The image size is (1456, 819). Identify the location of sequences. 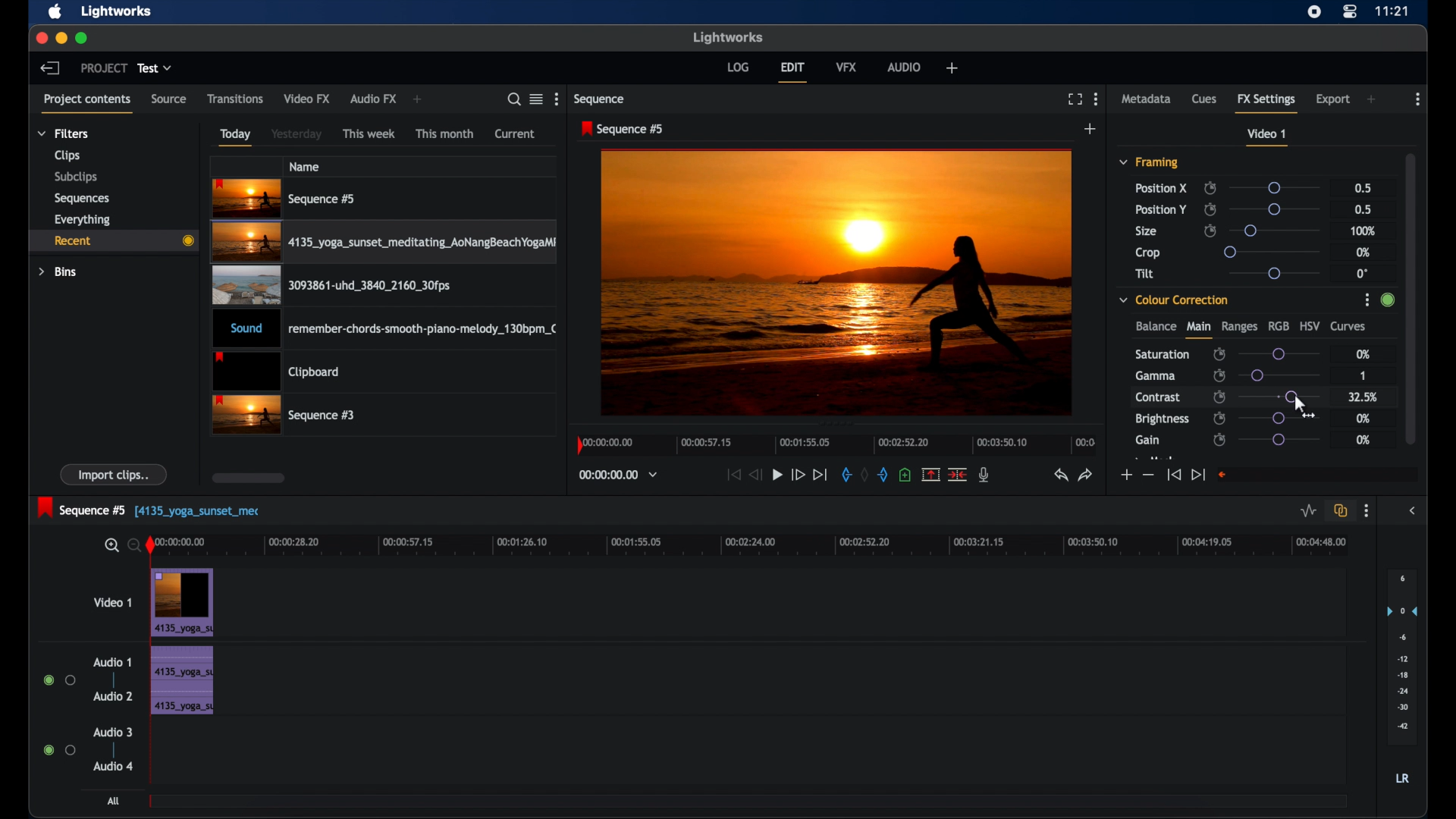
(82, 199).